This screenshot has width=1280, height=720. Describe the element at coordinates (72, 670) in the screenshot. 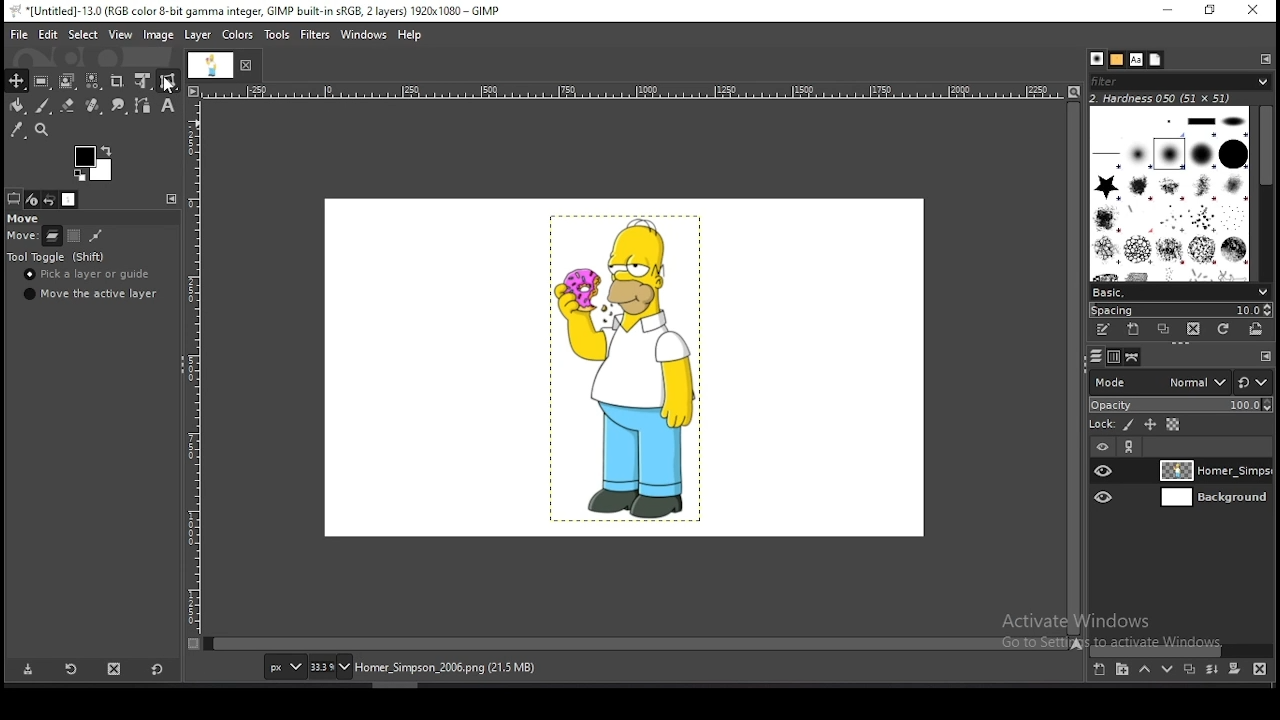

I see `restore tool preset` at that location.